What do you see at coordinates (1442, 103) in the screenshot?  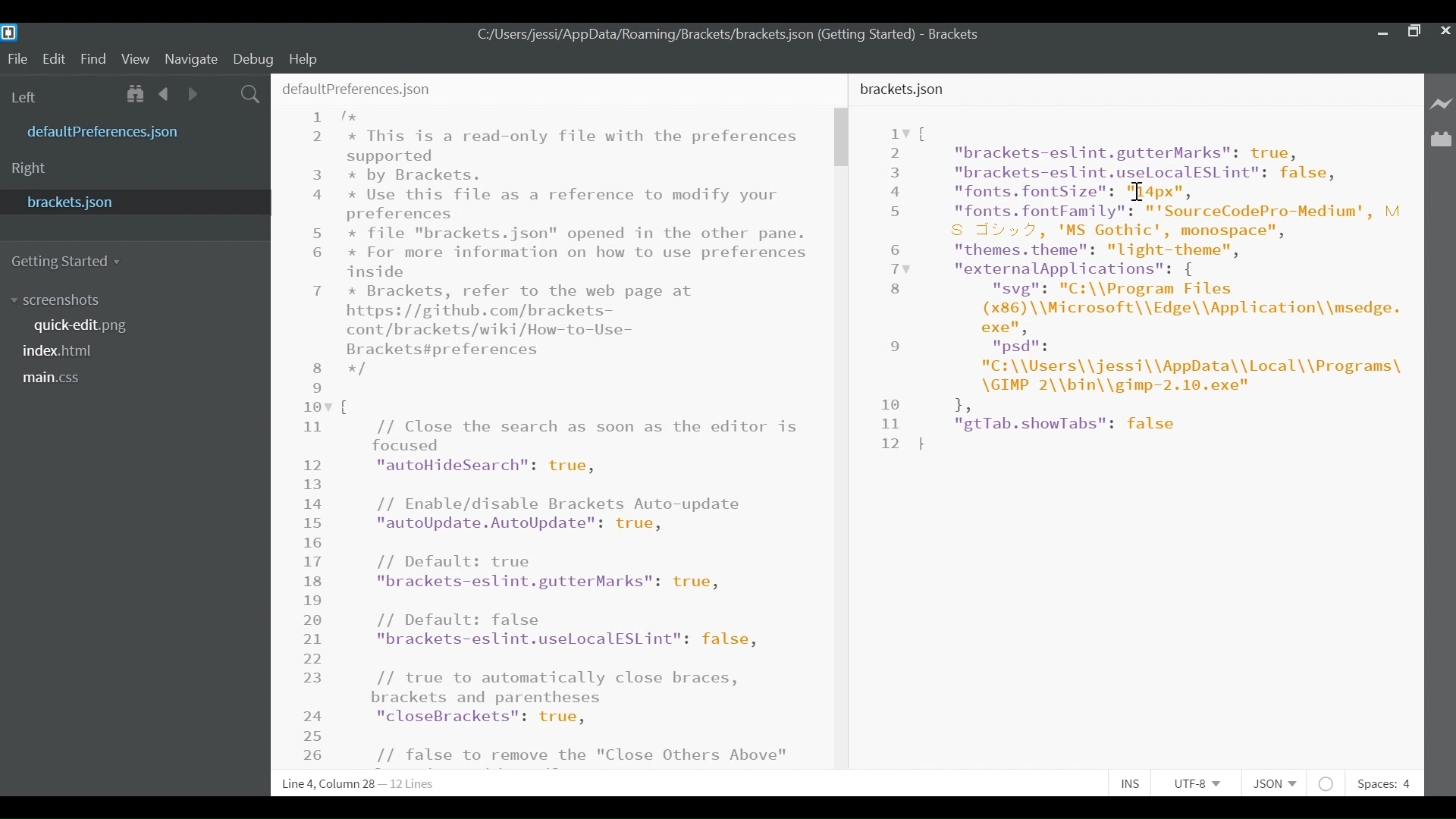 I see `Live Preview` at bounding box center [1442, 103].